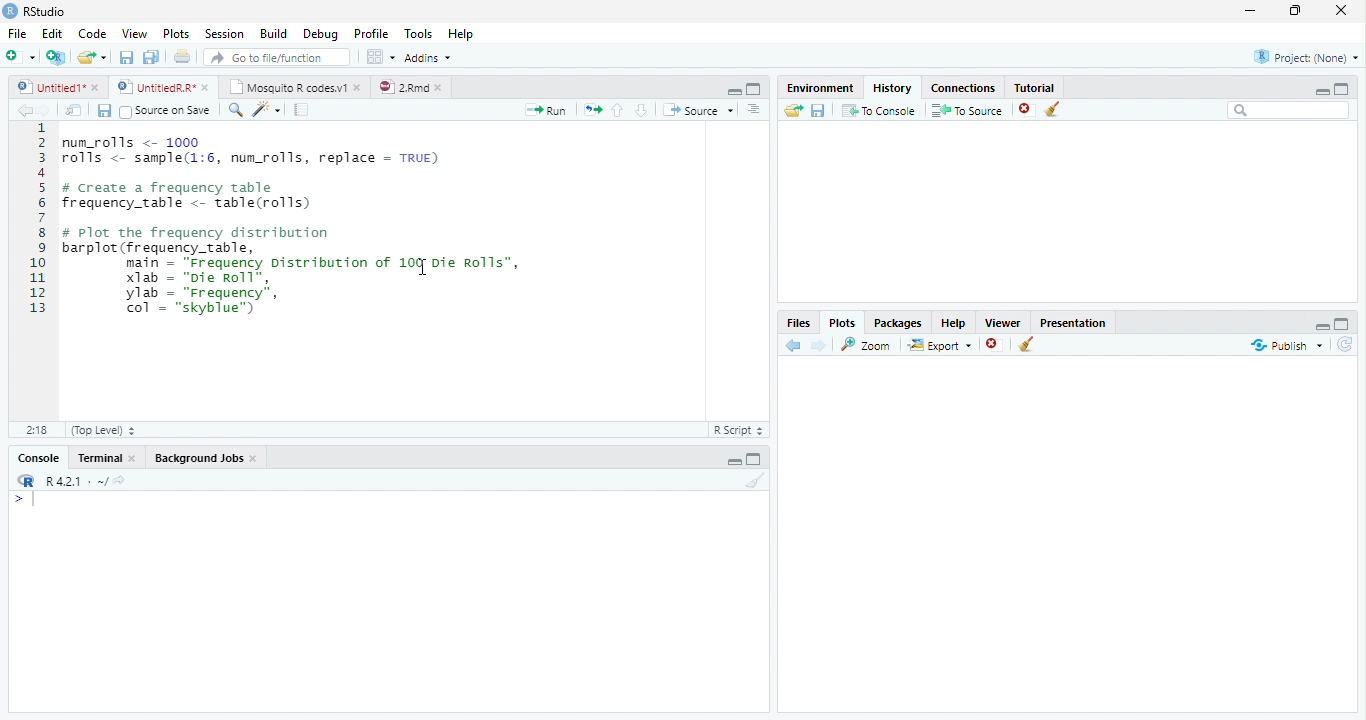  Describe the element at coordinates (18, 31) in the screenshot. I see `File` at that location.